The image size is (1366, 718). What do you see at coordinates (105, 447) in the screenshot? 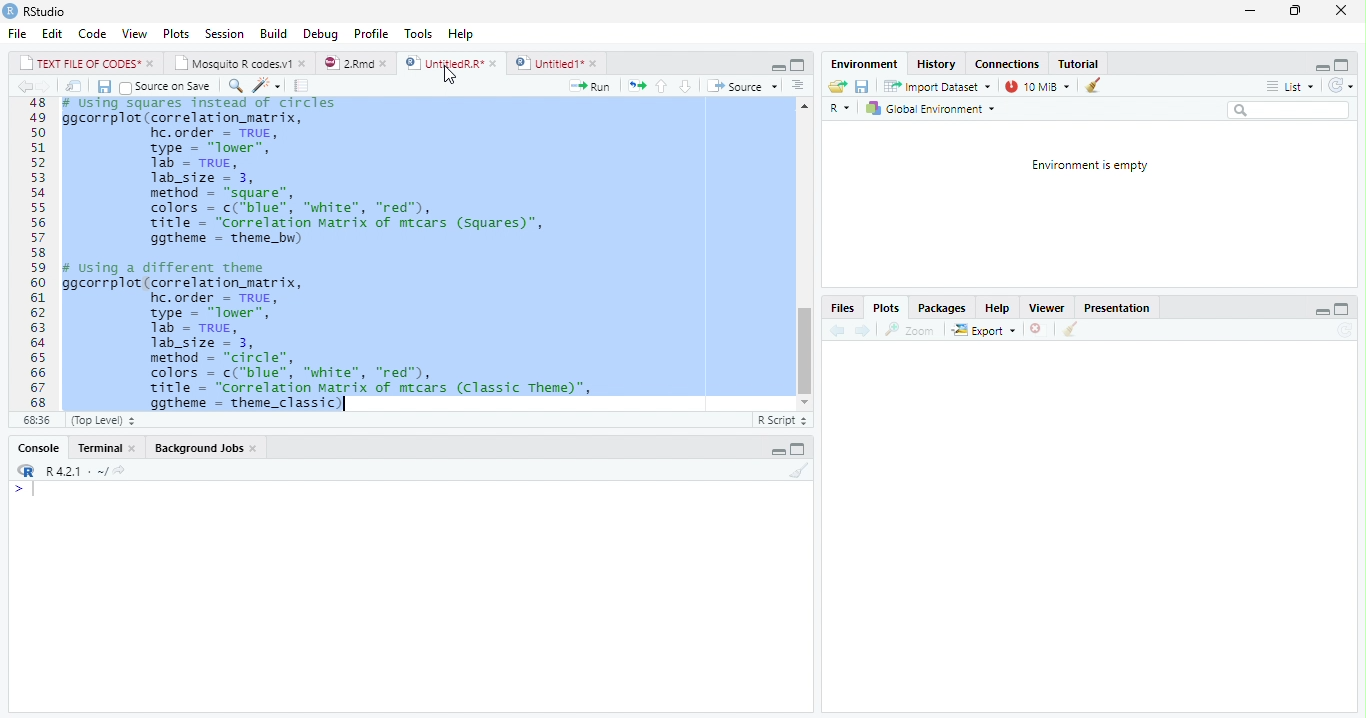
I see `Terminal` at bounding box center [105, 447].